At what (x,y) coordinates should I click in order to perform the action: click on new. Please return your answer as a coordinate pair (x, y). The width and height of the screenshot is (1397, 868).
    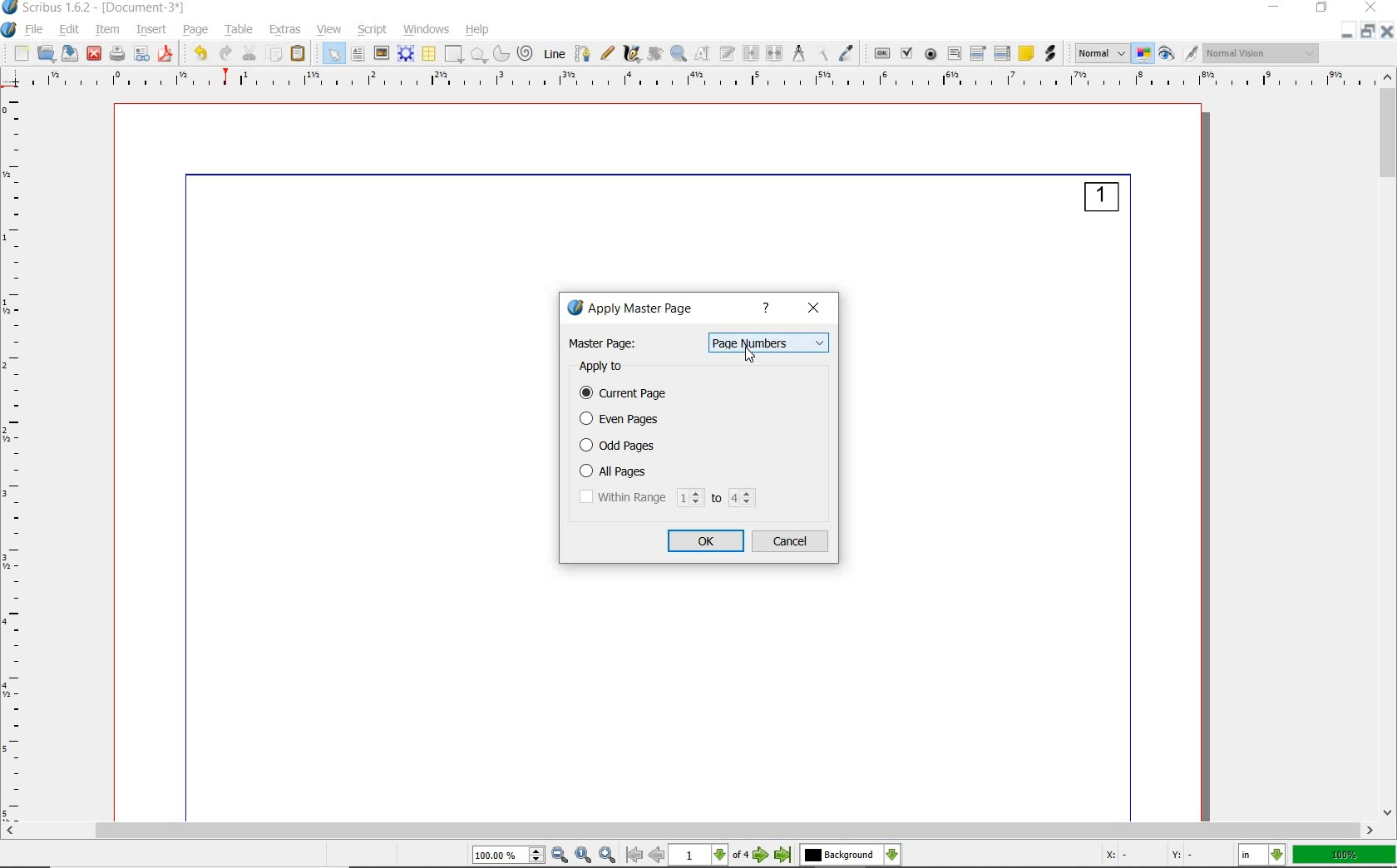
    Looking at the image, I should click on (21, 52).